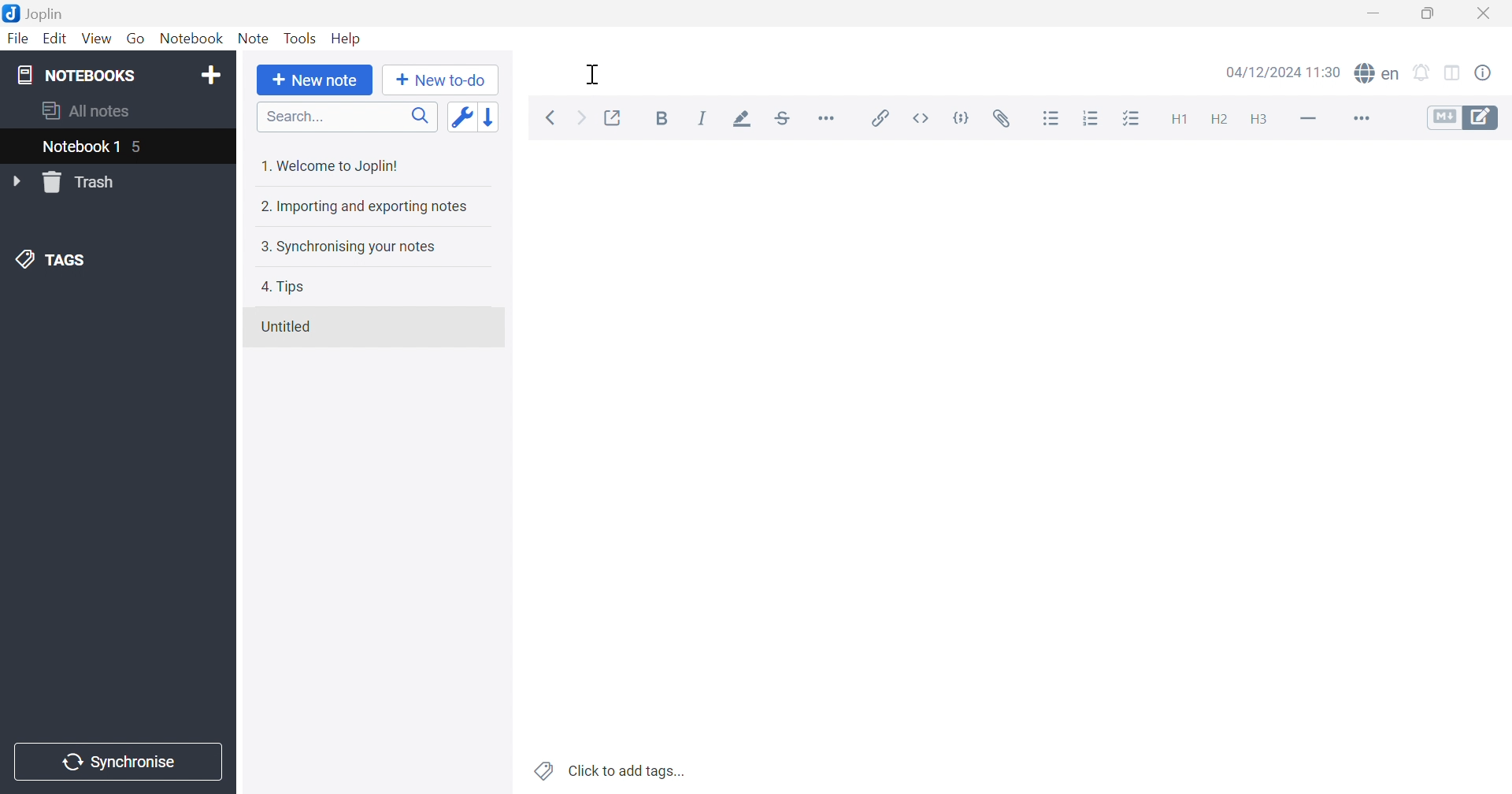 This screenshot has width=1512, height=794. Describe the element at coordinates (612, 117) in the screenshot. I see `Toggle external editing` at that location.